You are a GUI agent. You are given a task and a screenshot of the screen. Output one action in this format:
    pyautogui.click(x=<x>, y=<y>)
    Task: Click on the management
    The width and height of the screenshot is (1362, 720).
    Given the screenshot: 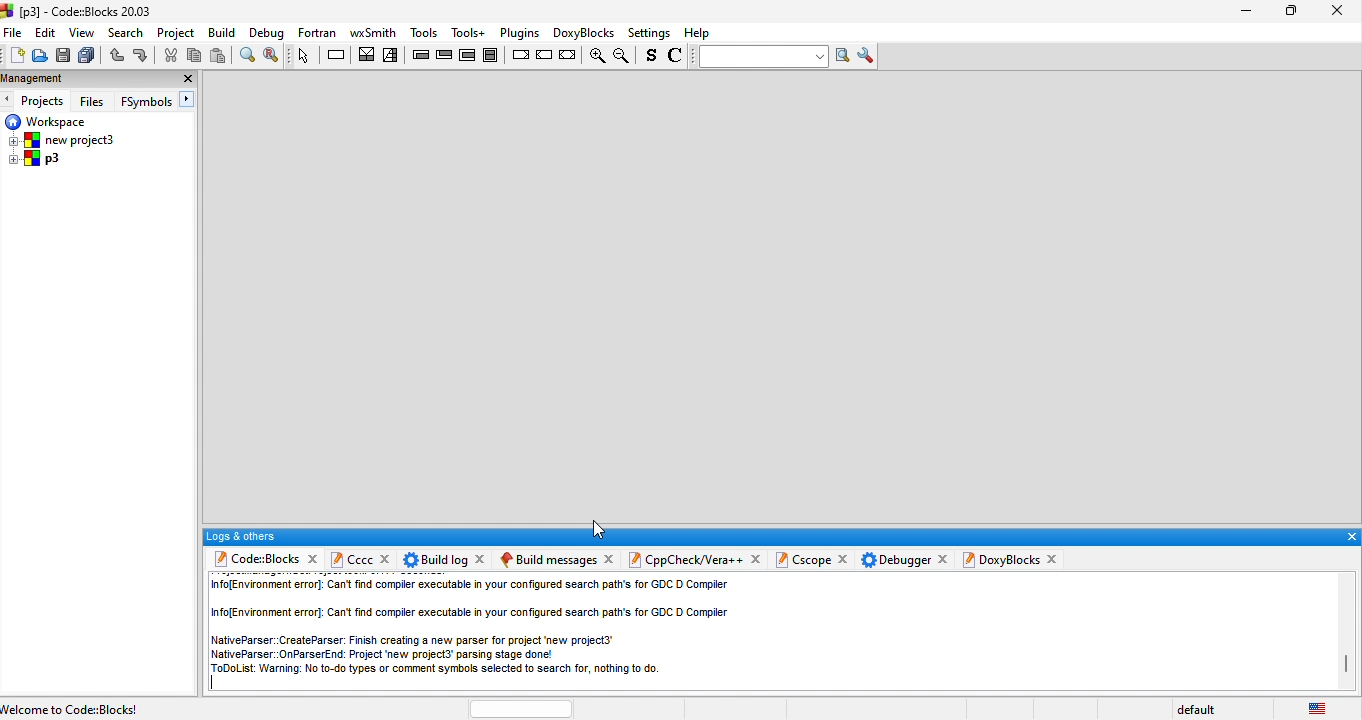 What is the action you would take?
    pyautogui.click(x=70, y=80)
    